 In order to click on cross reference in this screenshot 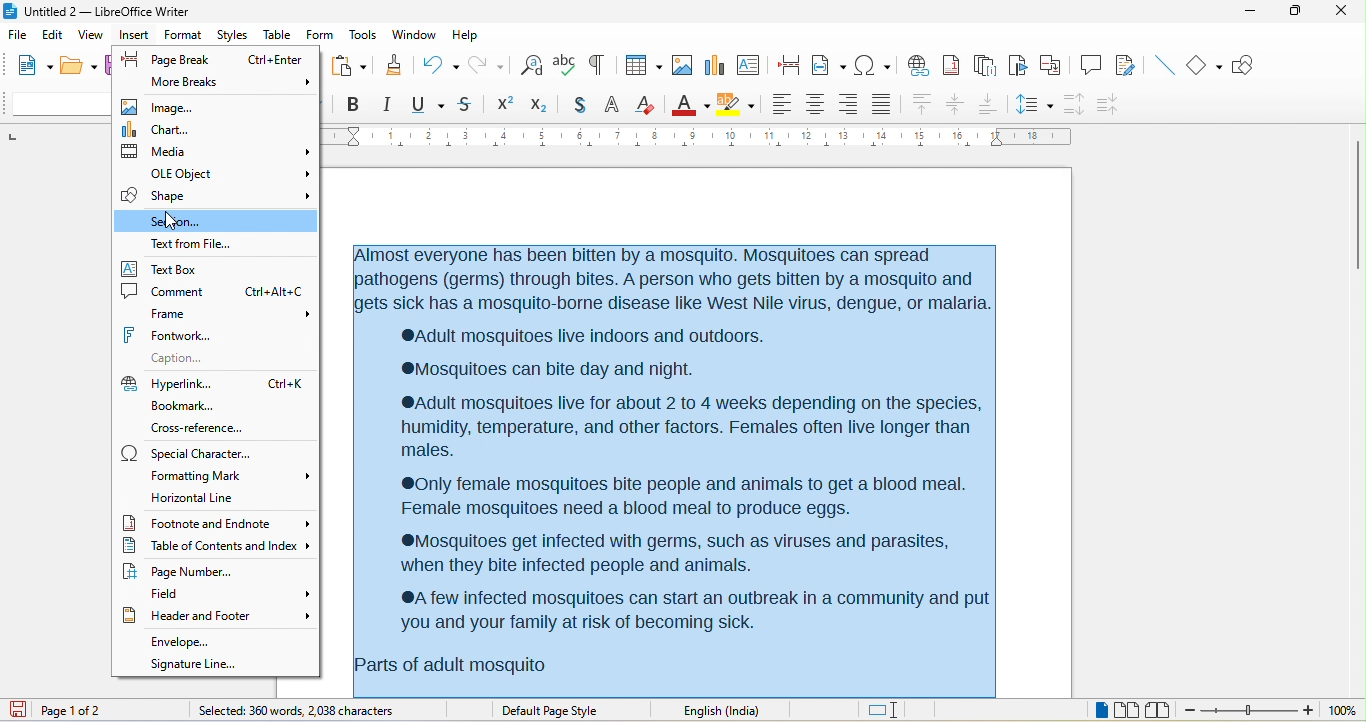, I will do `click(1051, 65)`.